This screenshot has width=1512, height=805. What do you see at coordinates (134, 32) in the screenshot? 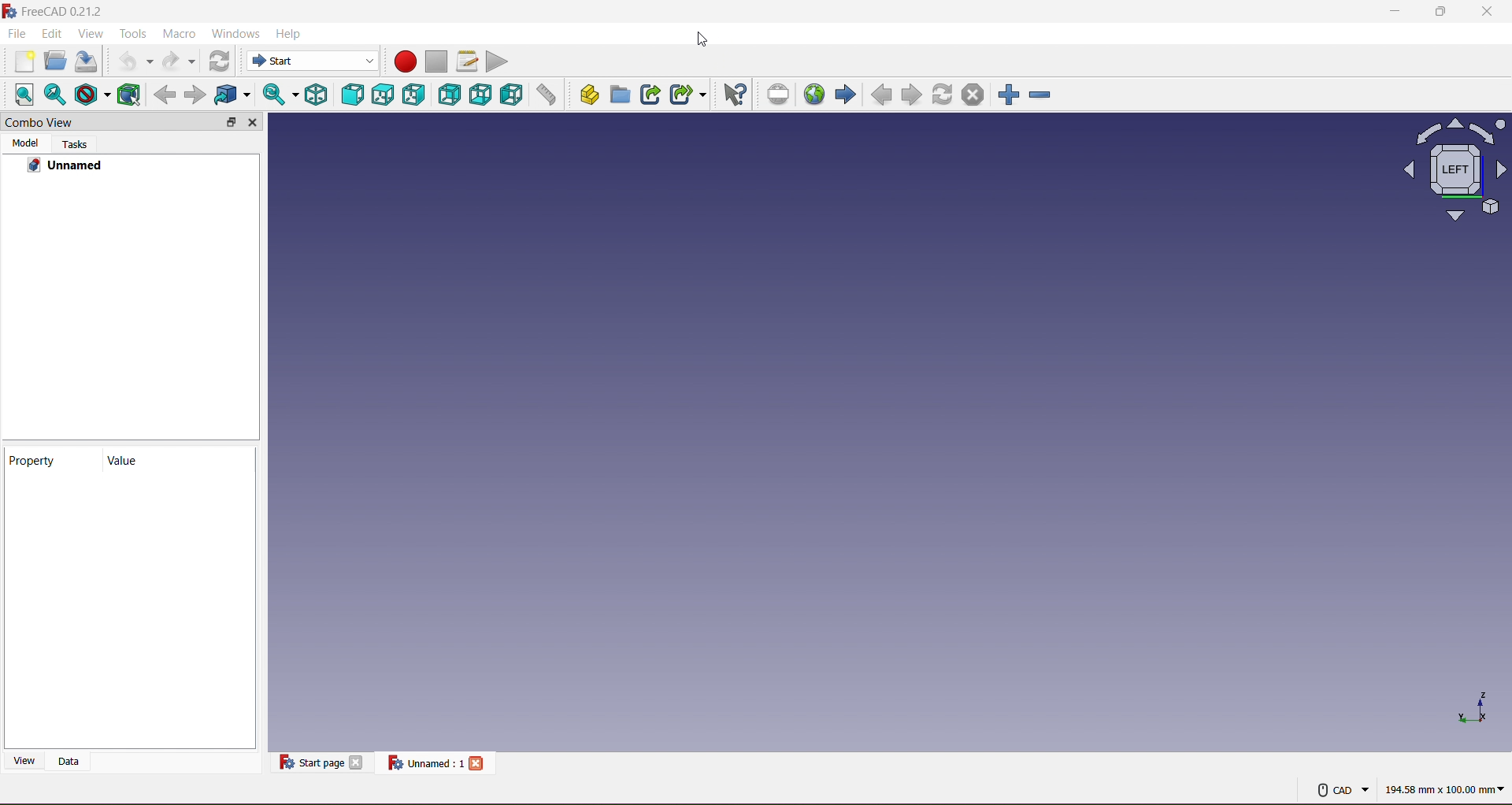
I see `Tools` at bounding box center [134, 32].